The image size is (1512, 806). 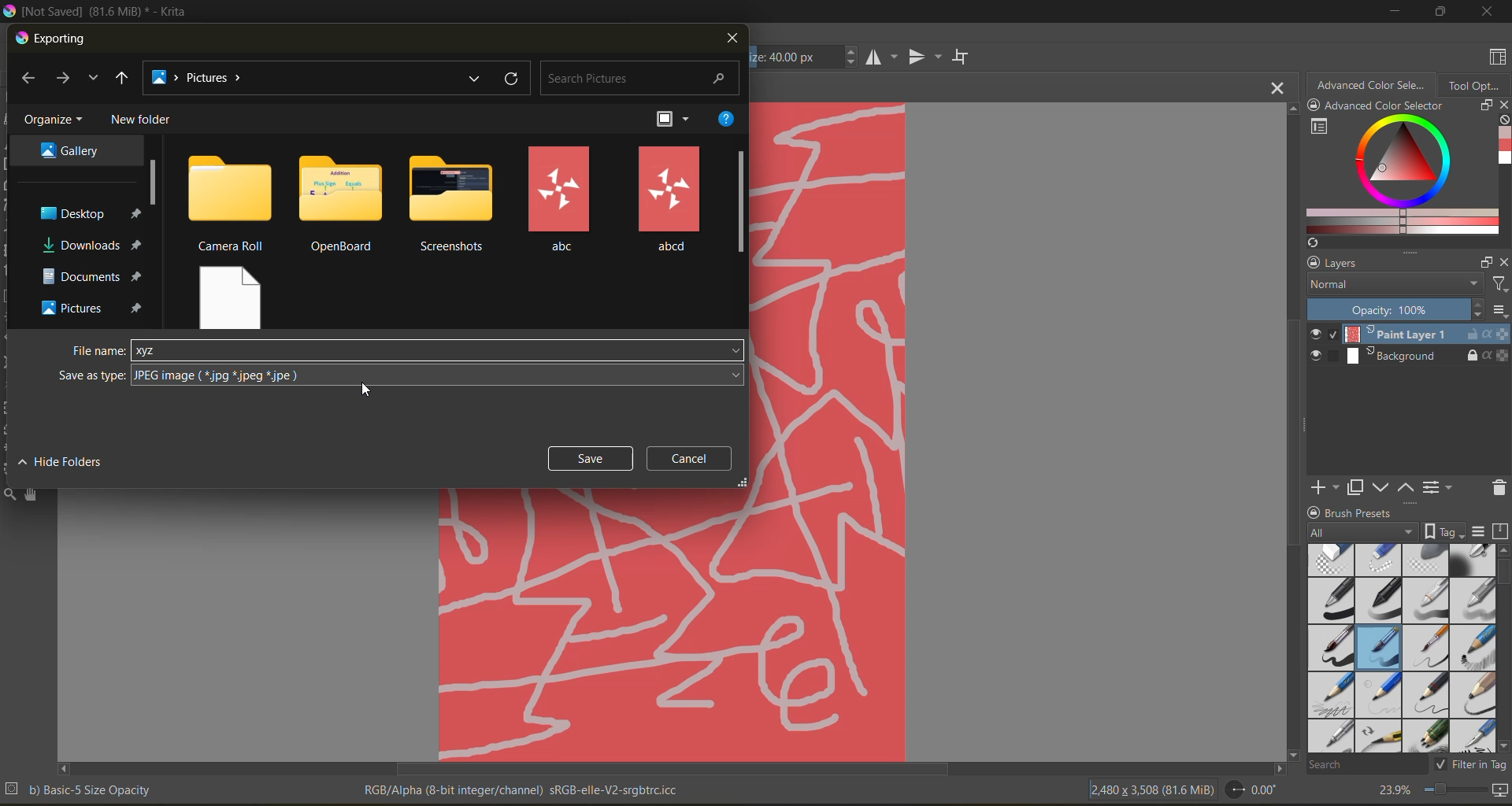 What do you see at coordinates (642, 79) in the screenshot?
I see `search` at bounding box center [642, 79].